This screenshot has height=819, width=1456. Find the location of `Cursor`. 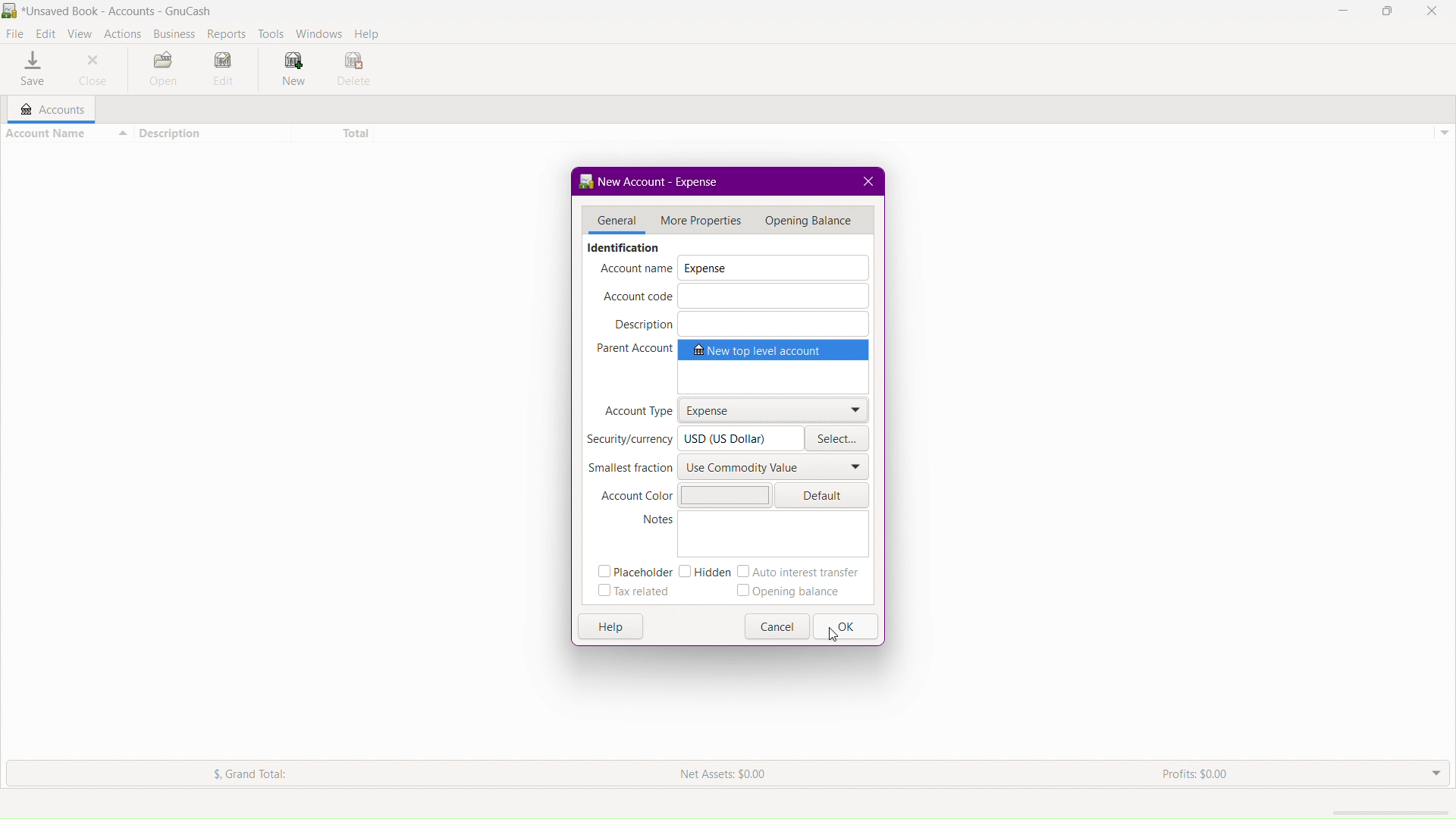

Cursor is located at coordinates (834, 632).